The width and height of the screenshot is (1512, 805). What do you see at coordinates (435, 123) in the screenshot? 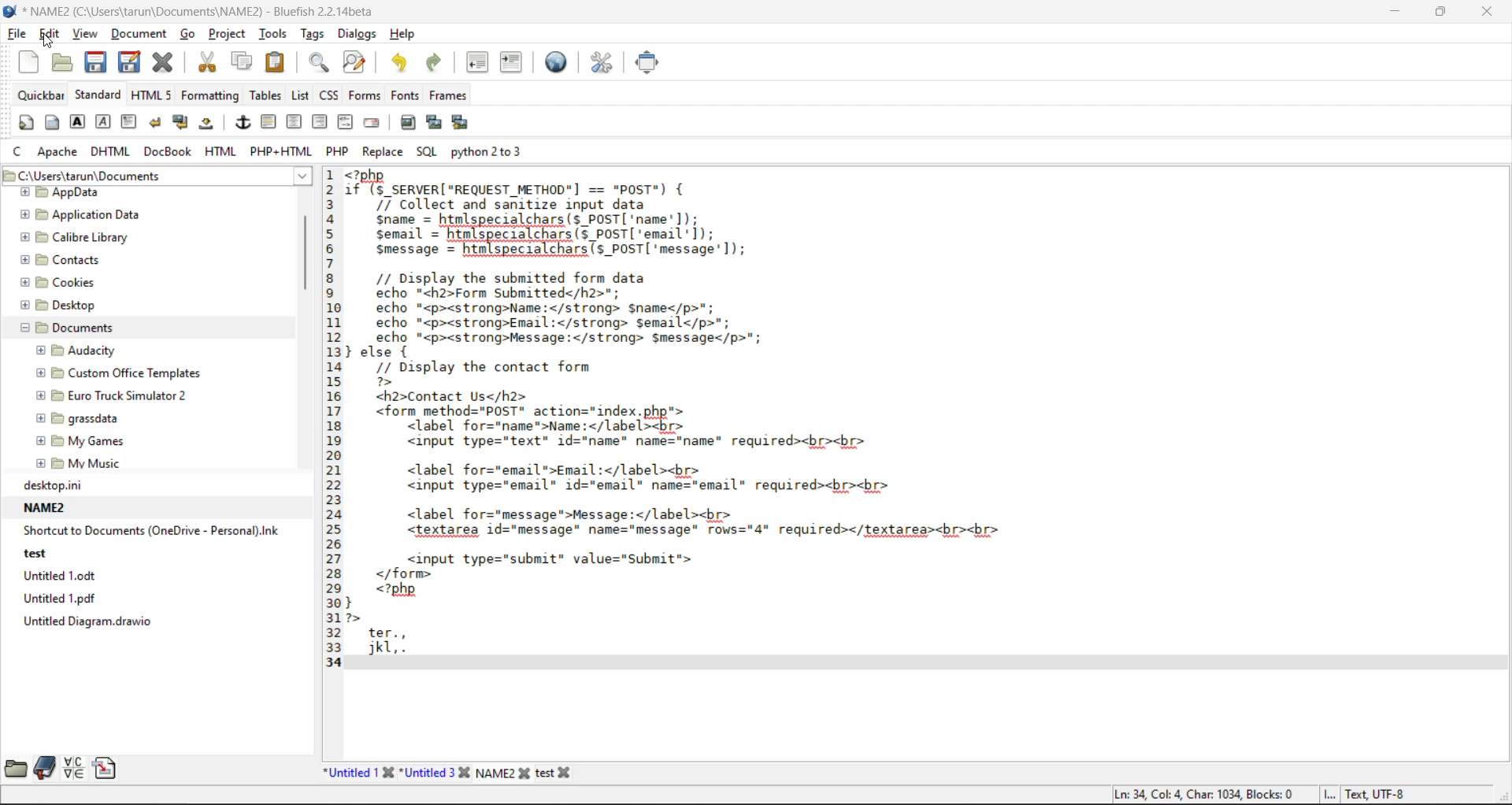
I see `insert thumbnail` at bounding box center [435, 123].